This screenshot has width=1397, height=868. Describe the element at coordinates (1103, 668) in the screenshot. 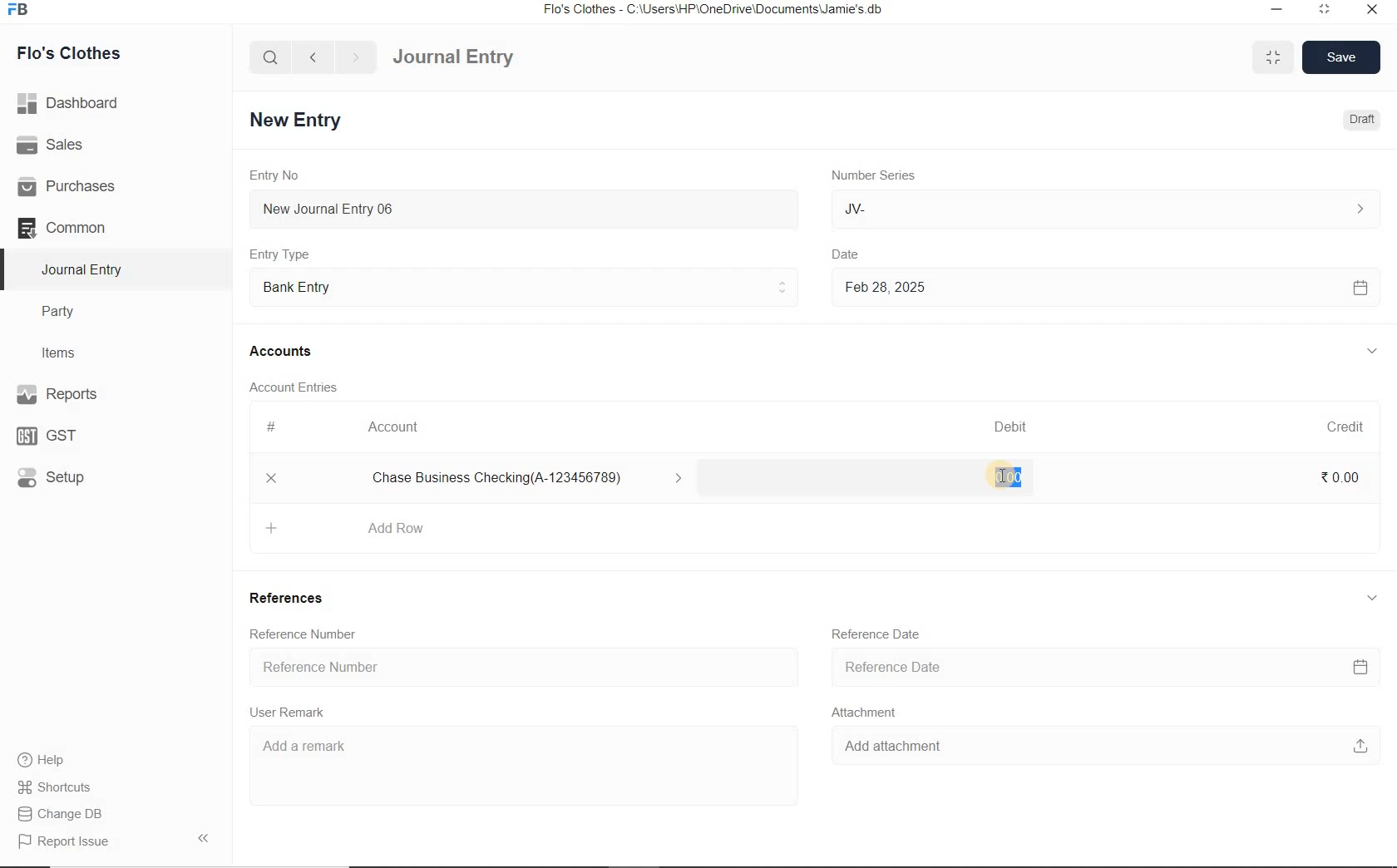

I see `Reference Date` at that location.